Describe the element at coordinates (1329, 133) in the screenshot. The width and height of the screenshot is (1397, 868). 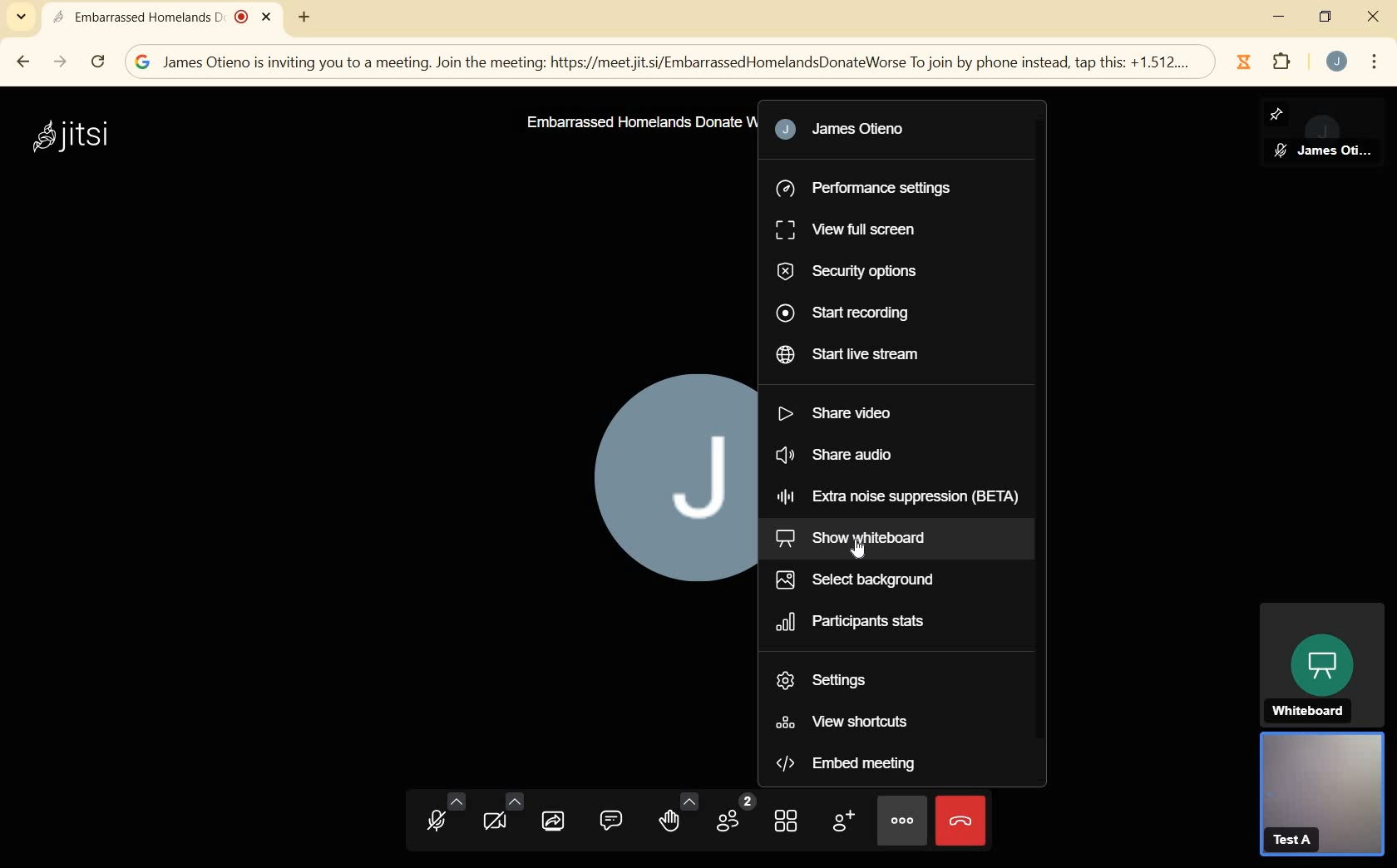
I see `MODERATOR PANEL VIEW` at that location.